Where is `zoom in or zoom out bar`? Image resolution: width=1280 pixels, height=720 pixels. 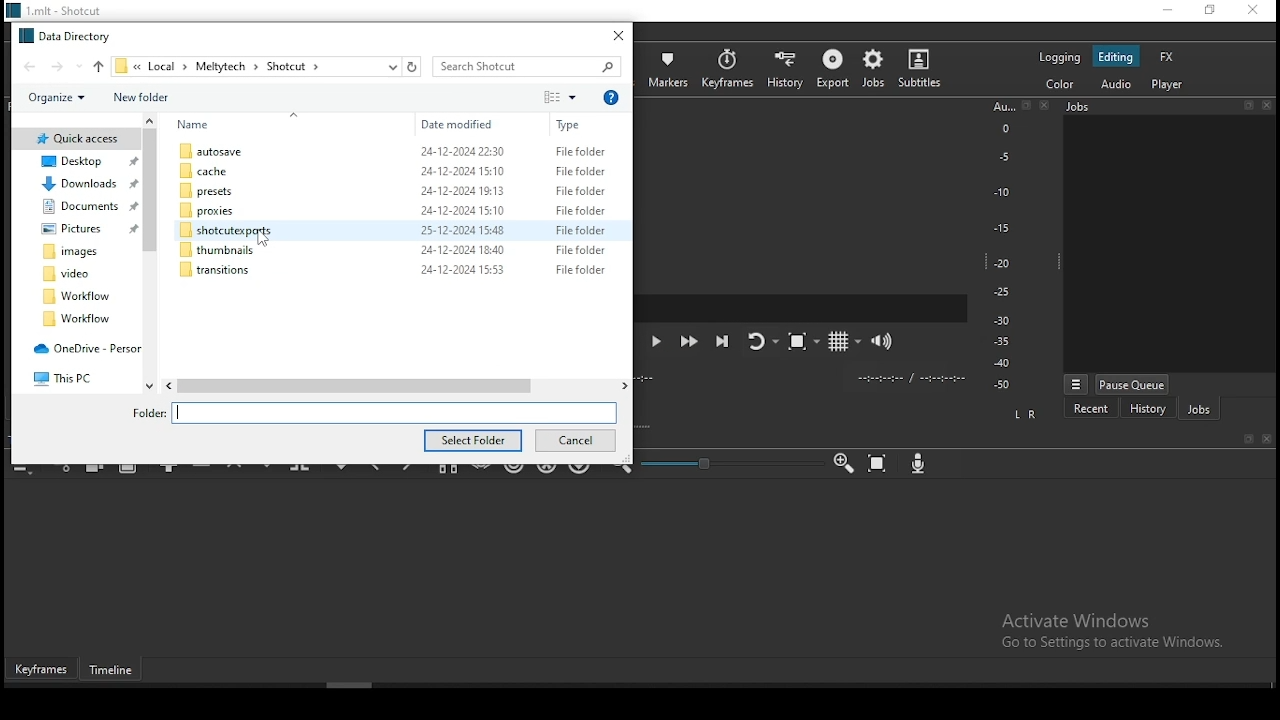 zoom in or zoom out bar is located at coordinates (722, 463).